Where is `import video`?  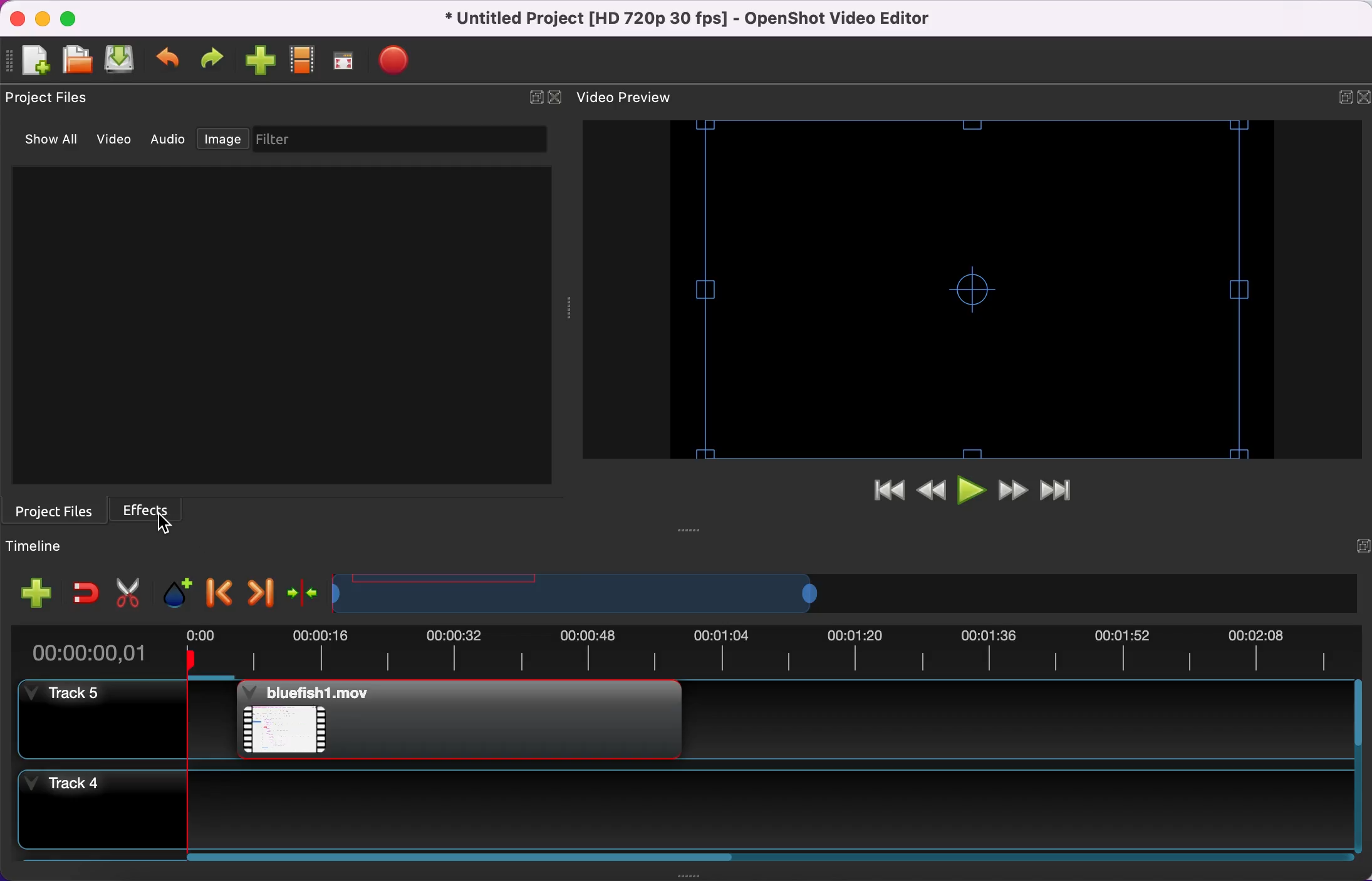 import video is located at coordinates (259, 63).